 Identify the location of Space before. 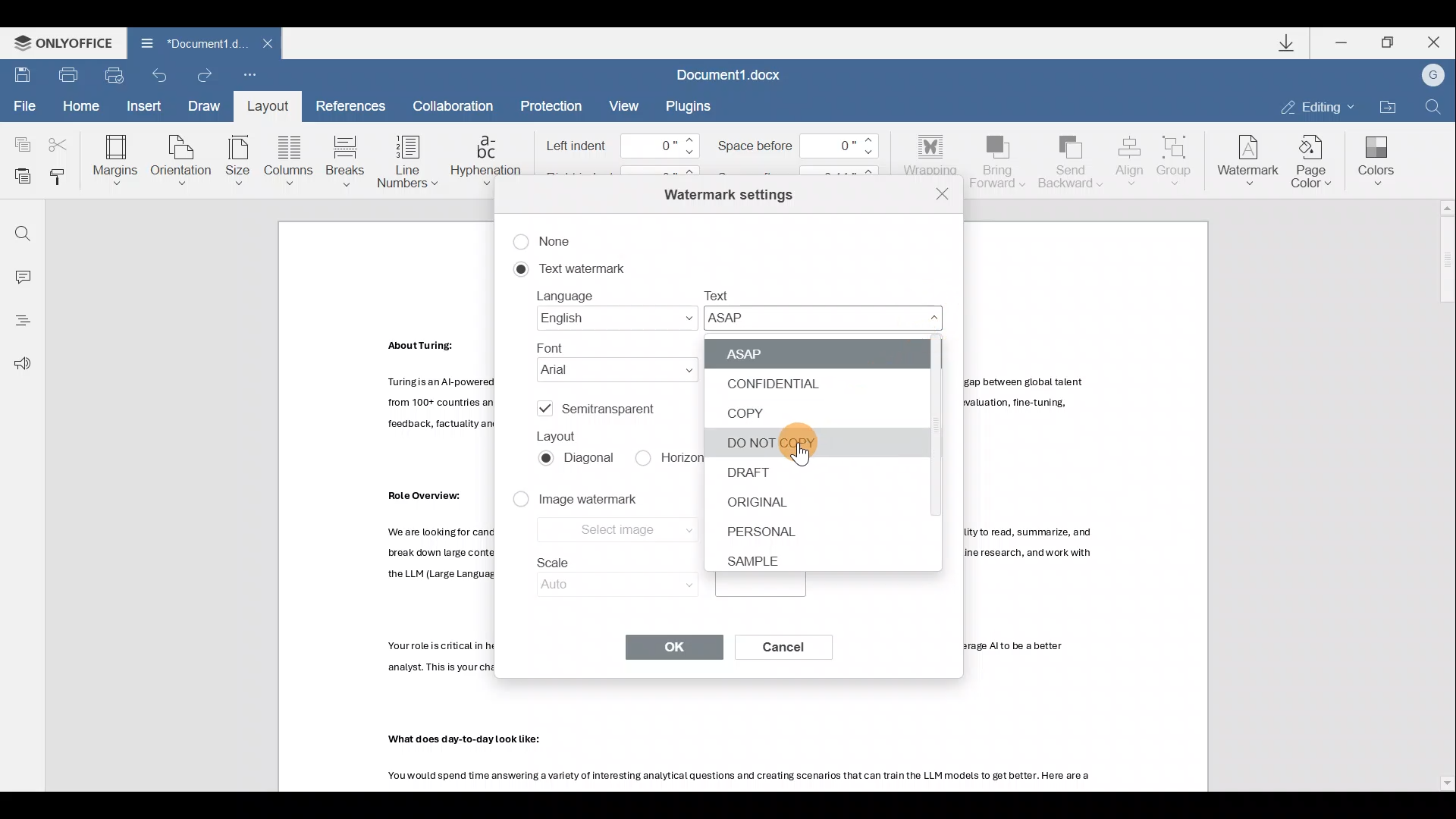
(799, 145).